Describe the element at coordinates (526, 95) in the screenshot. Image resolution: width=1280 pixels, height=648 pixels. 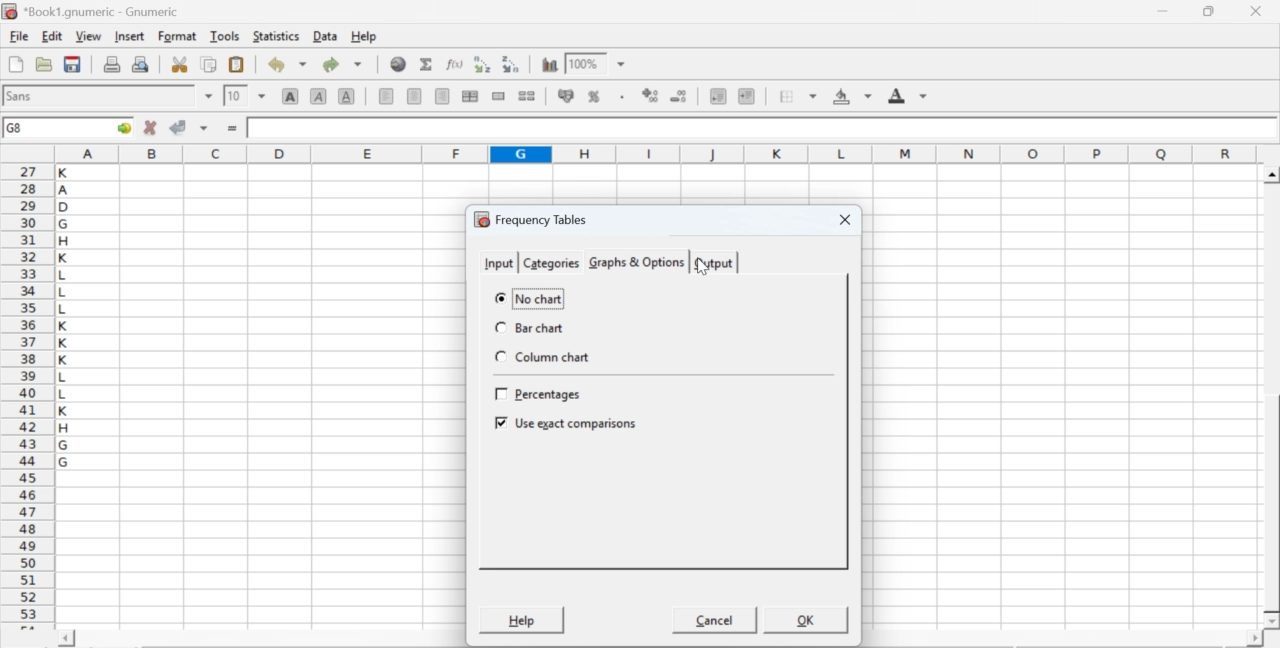
I see `split merged ranges of cells` at that location.